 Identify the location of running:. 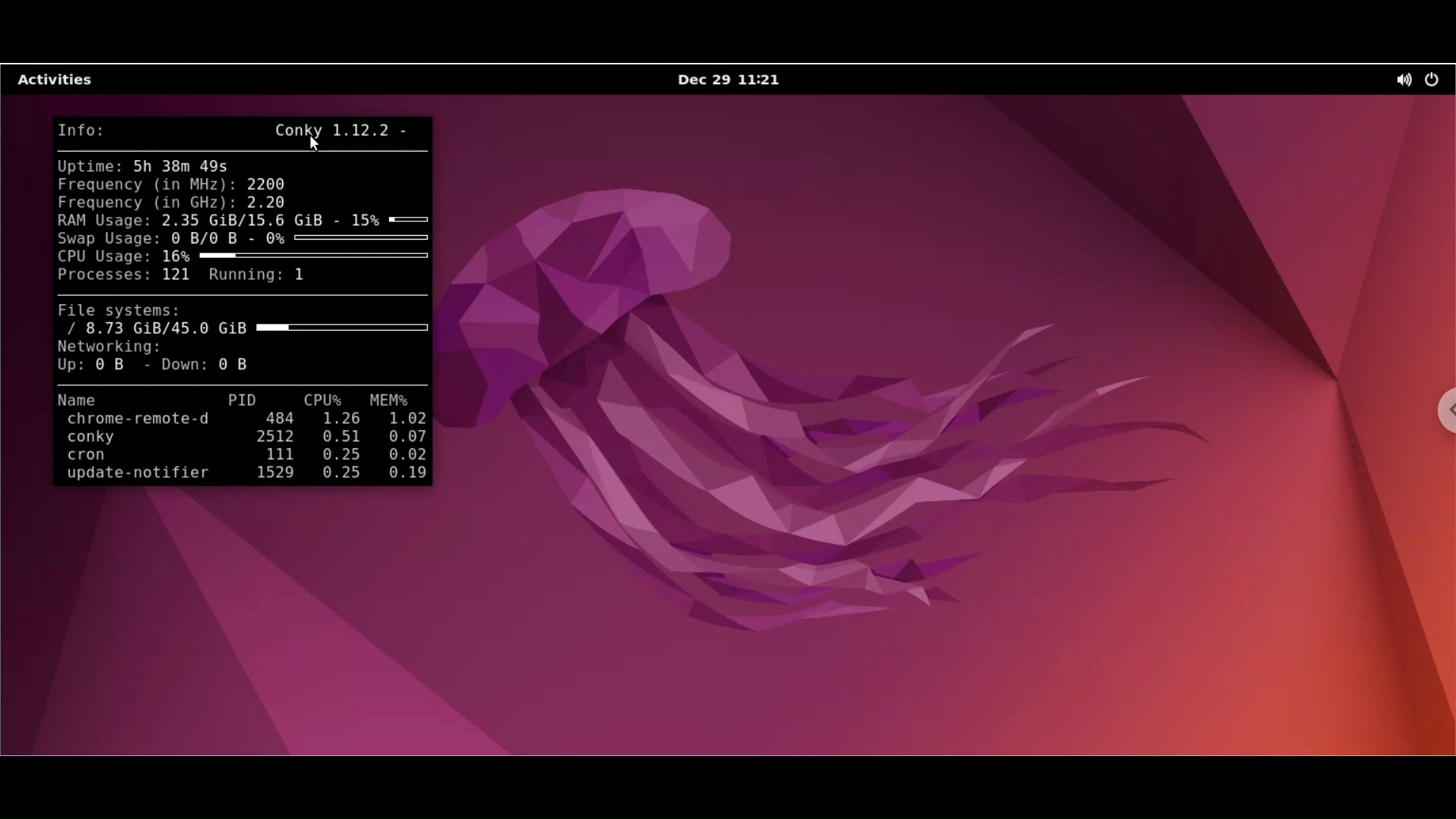
(243, 278).